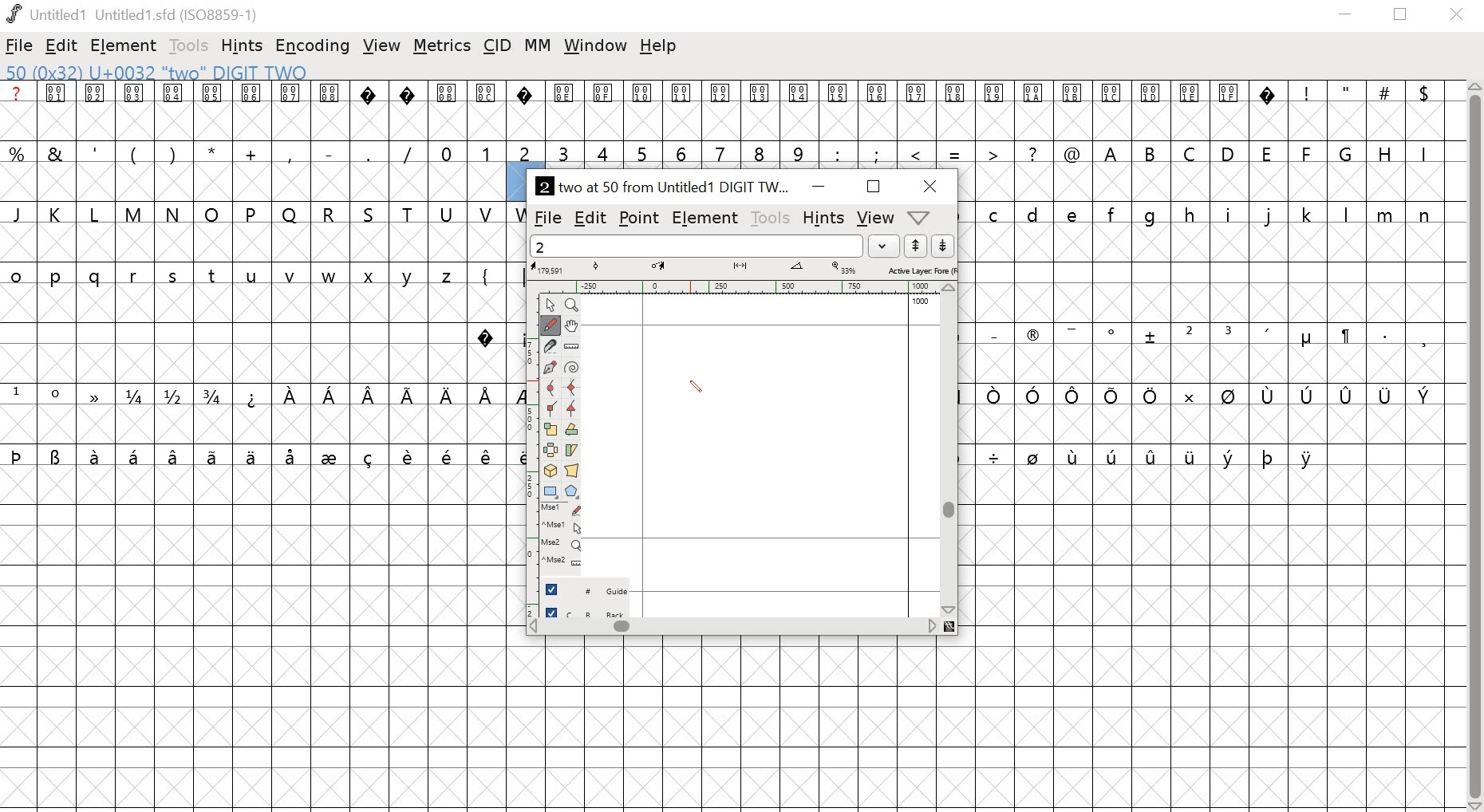 Image resolution: width=1484 pixels, height=812 pixels. What do you see at coordinates (943, 246) in the screenshot?
I see `down` at bounding box center [943, 246].